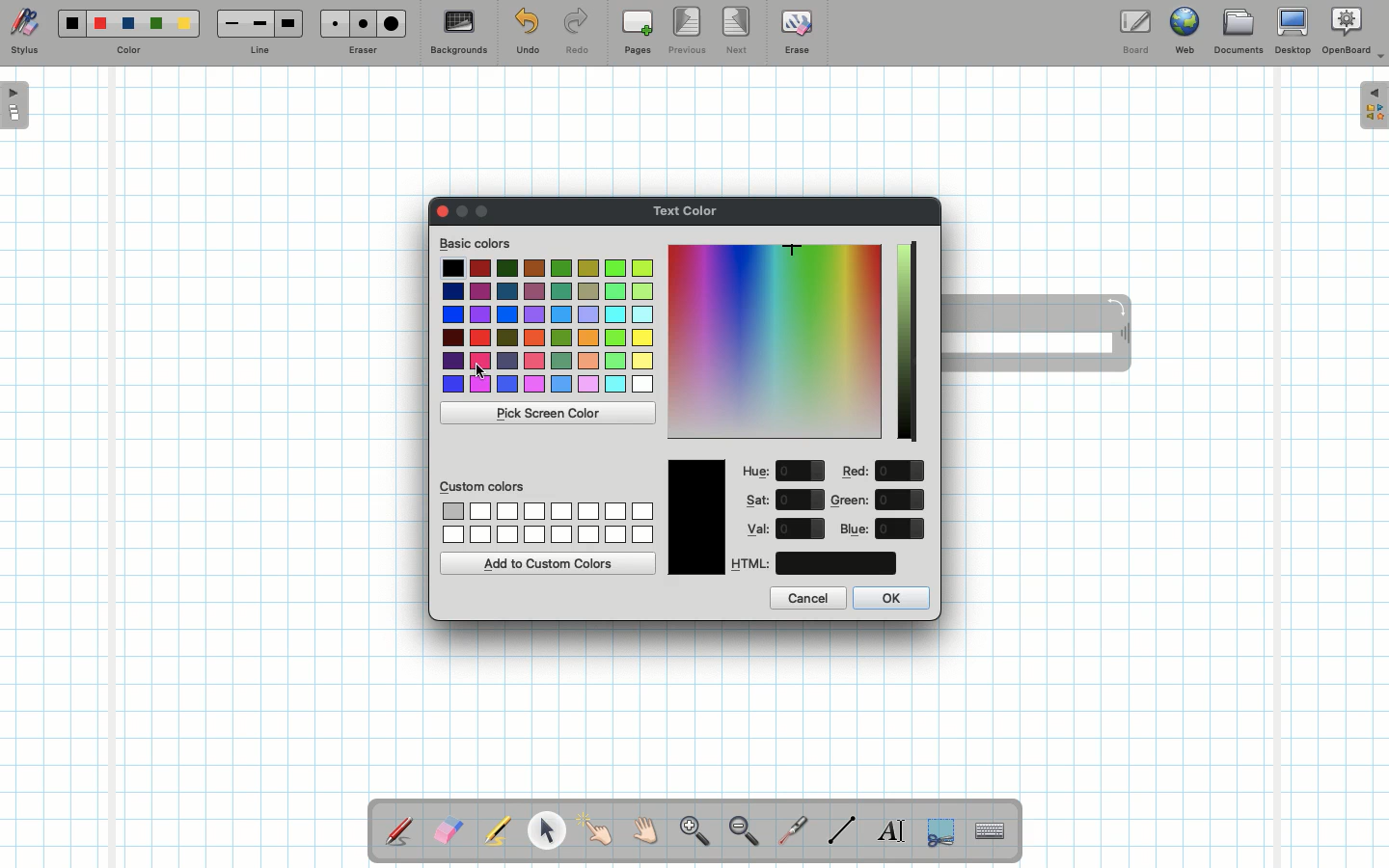 This screenshot has width=1389, height=868. I want to click on Line, so click(842, 829).